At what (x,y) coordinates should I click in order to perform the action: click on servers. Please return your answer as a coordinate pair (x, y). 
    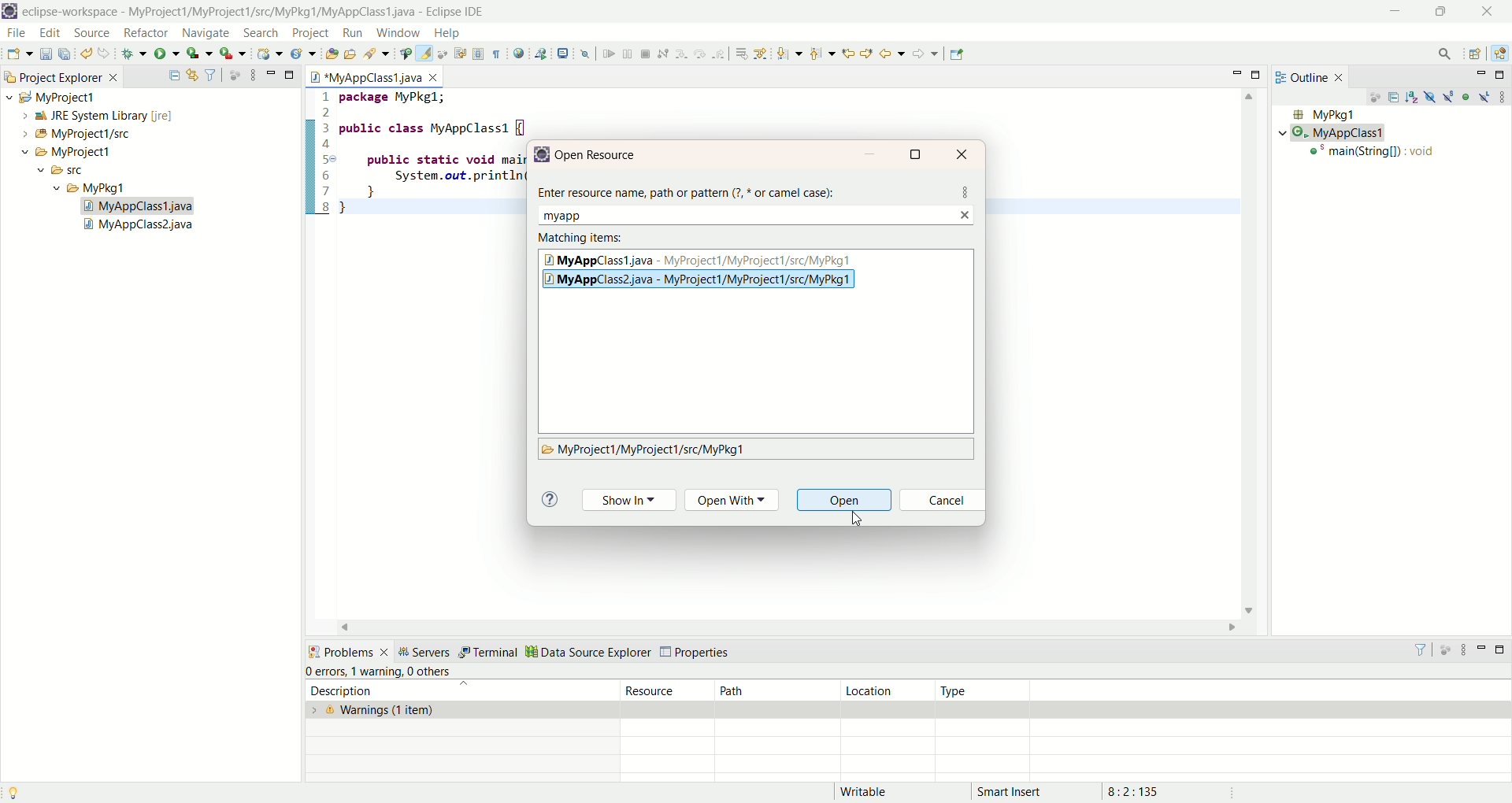
    Looking at the image, I should click on (424, 651).